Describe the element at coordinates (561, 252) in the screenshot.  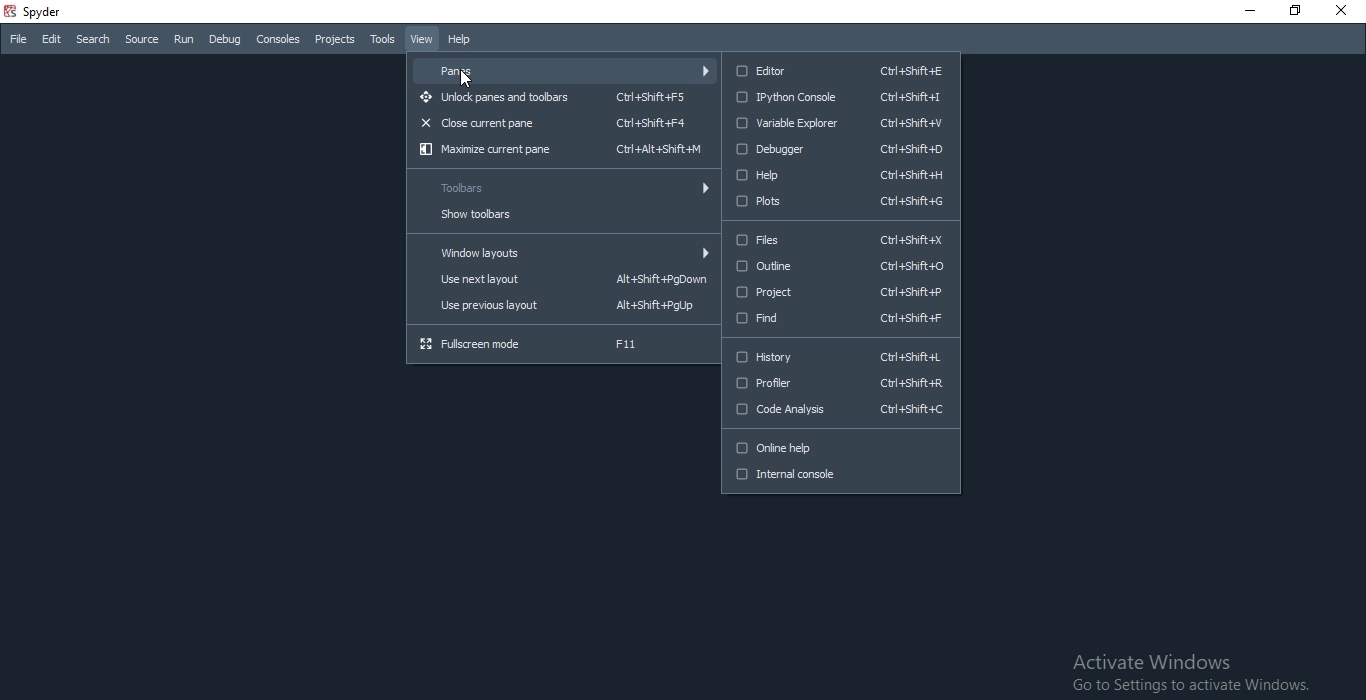
I see `Window layouts` at that location.